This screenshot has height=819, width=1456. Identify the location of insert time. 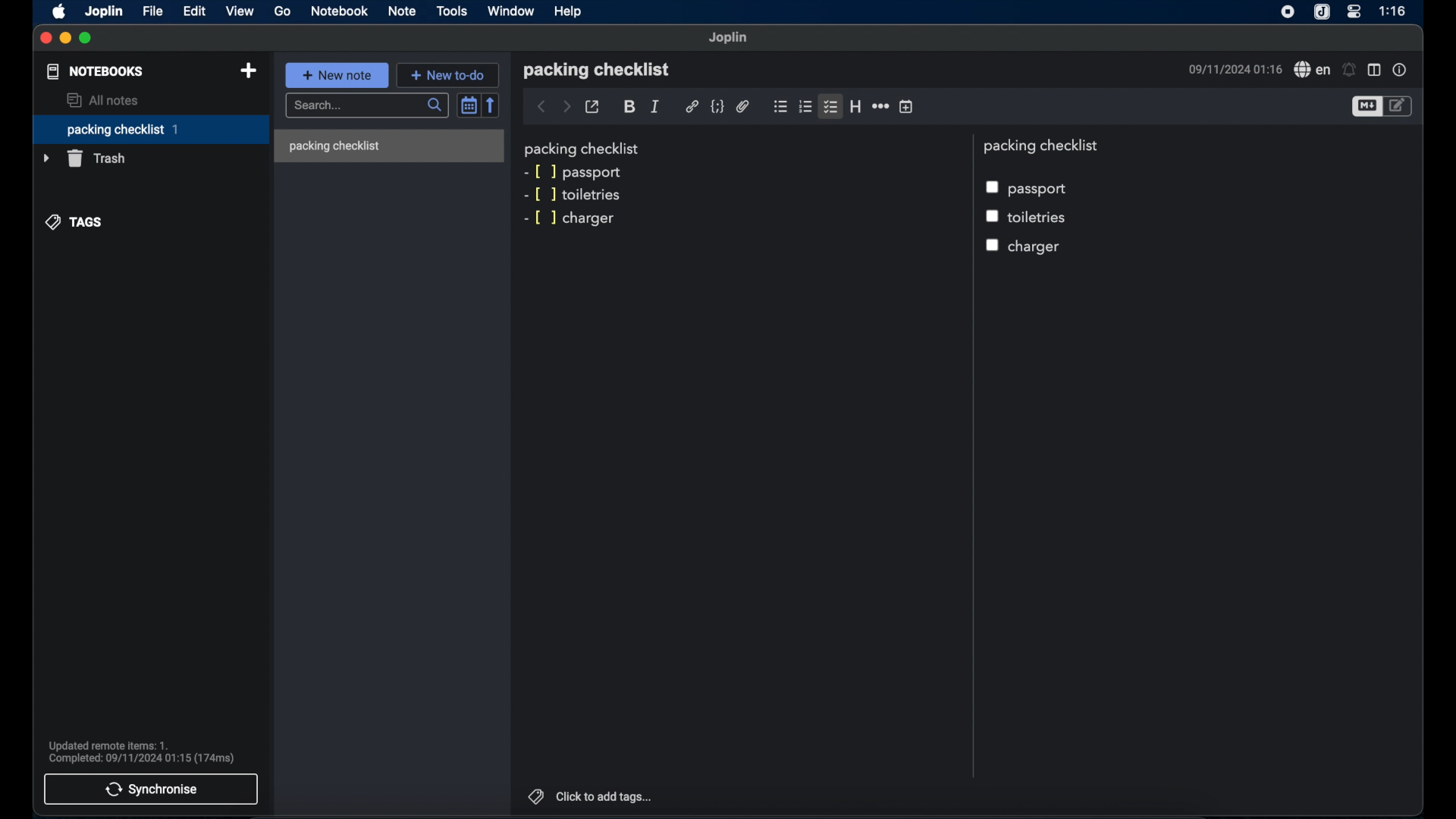
(907, 107).